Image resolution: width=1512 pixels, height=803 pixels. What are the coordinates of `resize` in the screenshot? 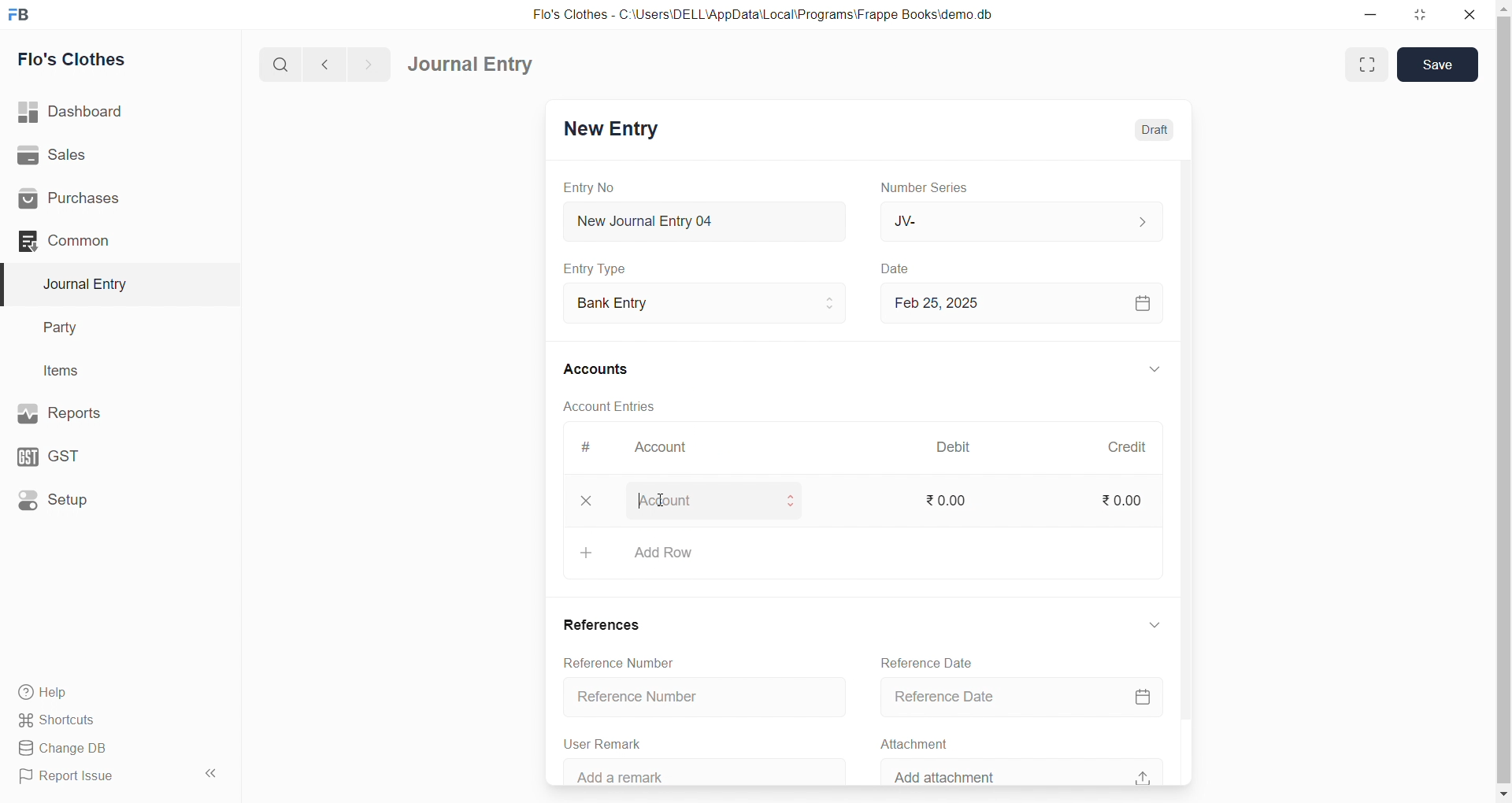 It's located at (1423, 14).